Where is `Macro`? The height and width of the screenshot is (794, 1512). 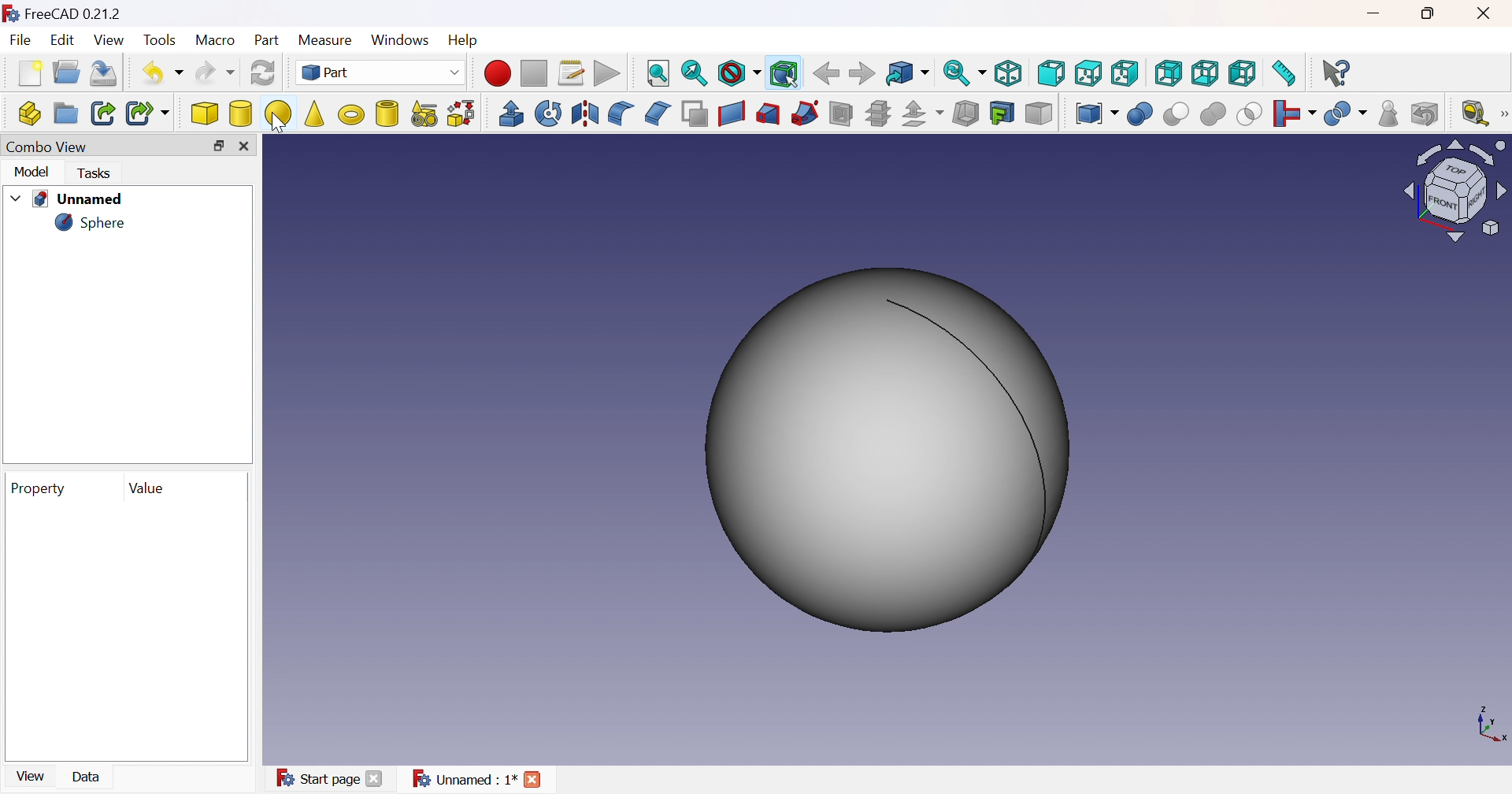
Macro is located at coordinates (216, 40).